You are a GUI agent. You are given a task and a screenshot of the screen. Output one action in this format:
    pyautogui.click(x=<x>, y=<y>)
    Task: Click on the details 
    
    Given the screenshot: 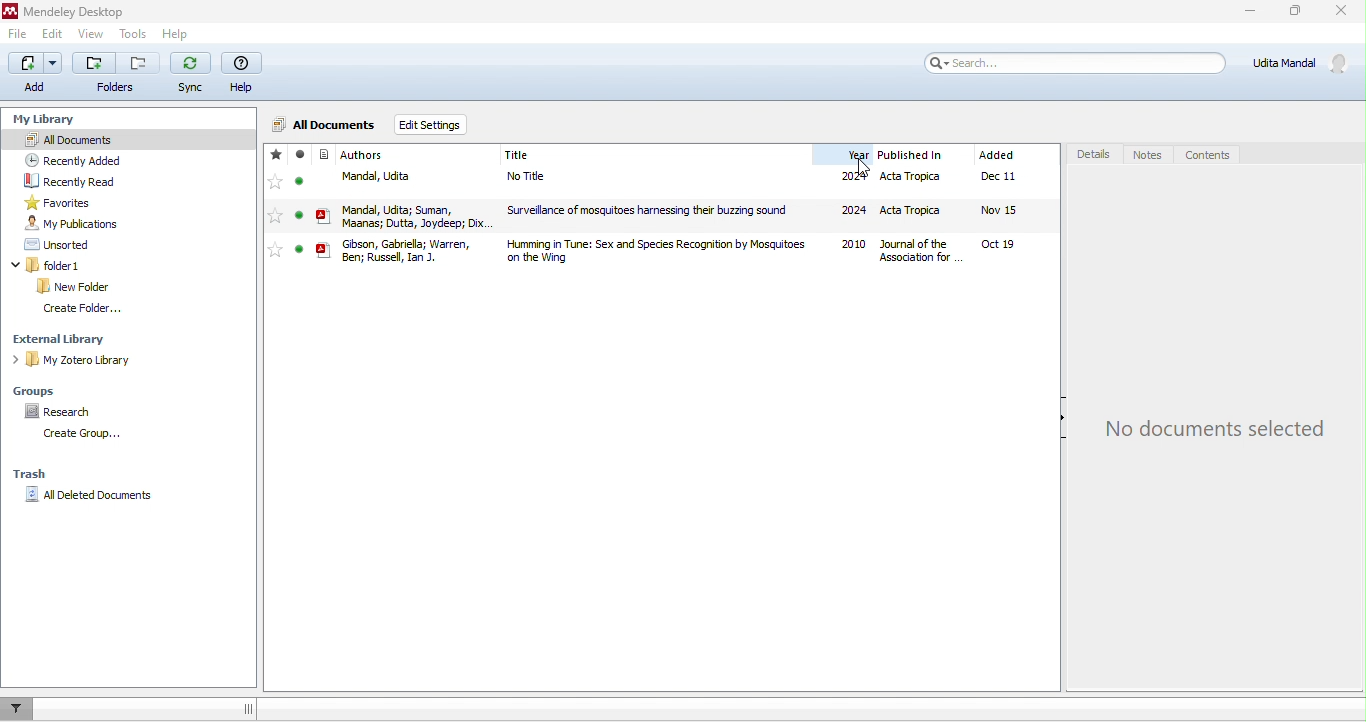 What is the action you would take?
    pyautogui.click(x=1093, y=154)
    